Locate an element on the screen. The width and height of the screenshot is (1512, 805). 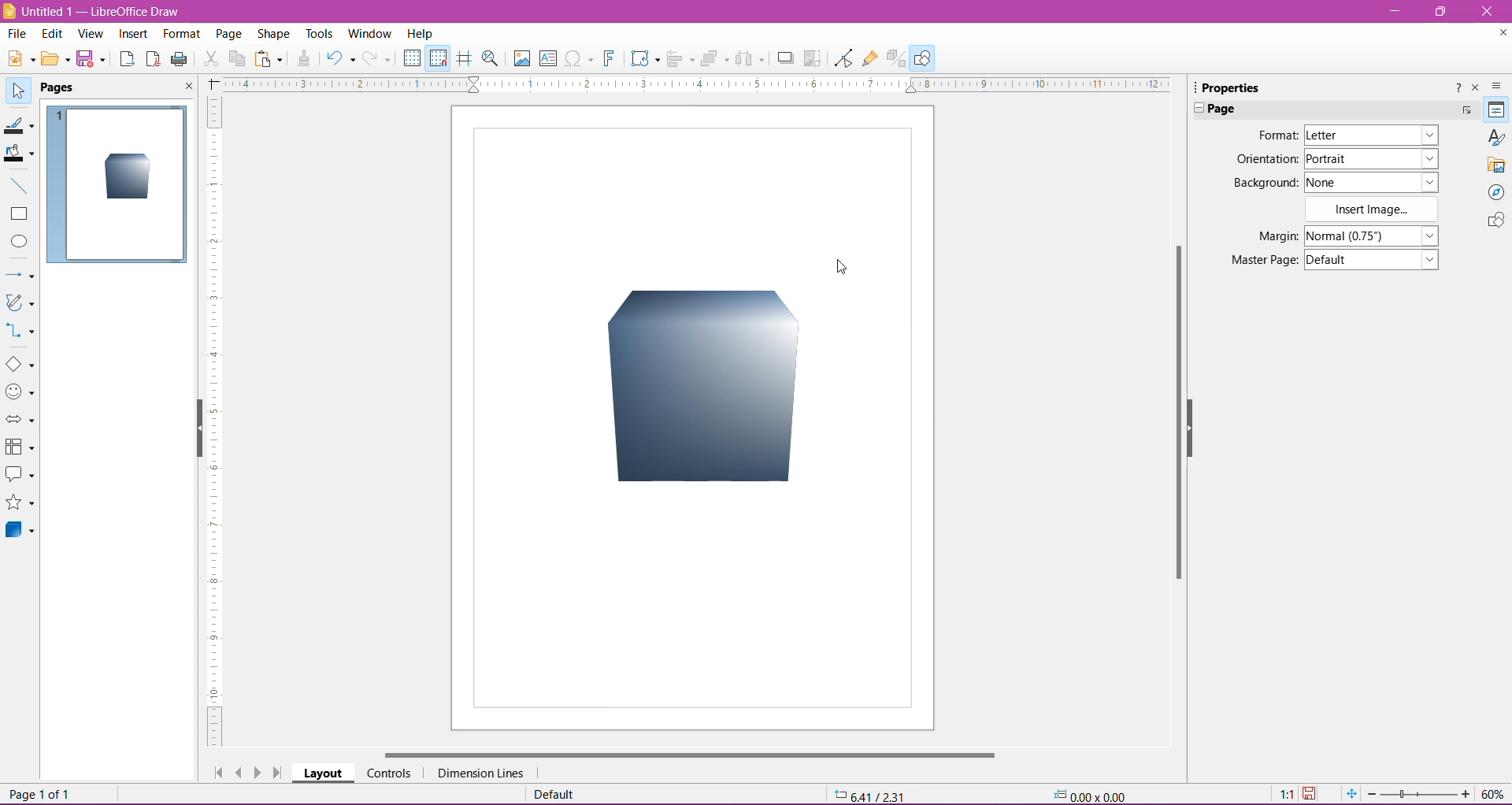
Show Draw Functions is located at coordinates (922, 57).